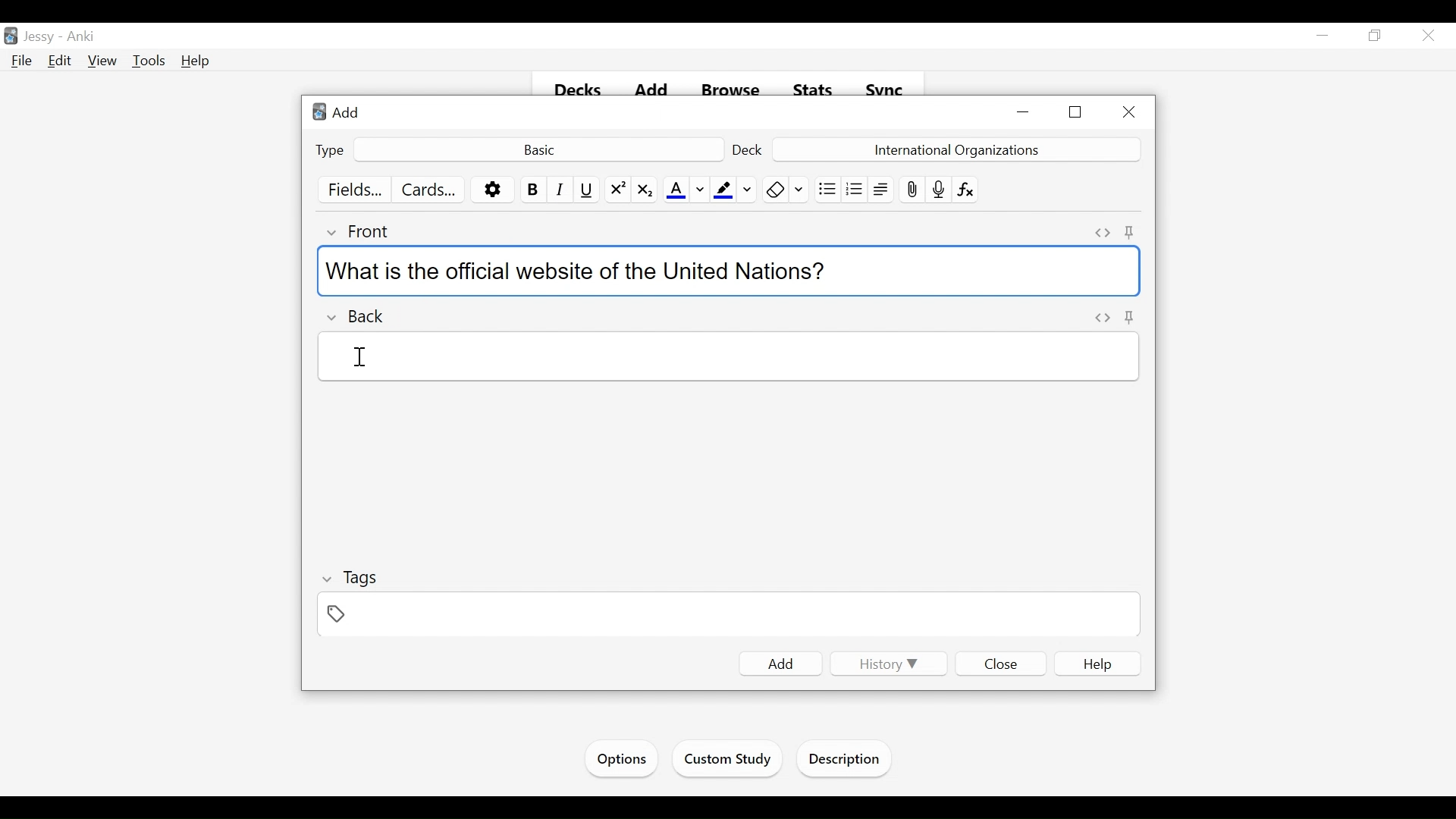  I want to click on minimize, so click(1025, 113).